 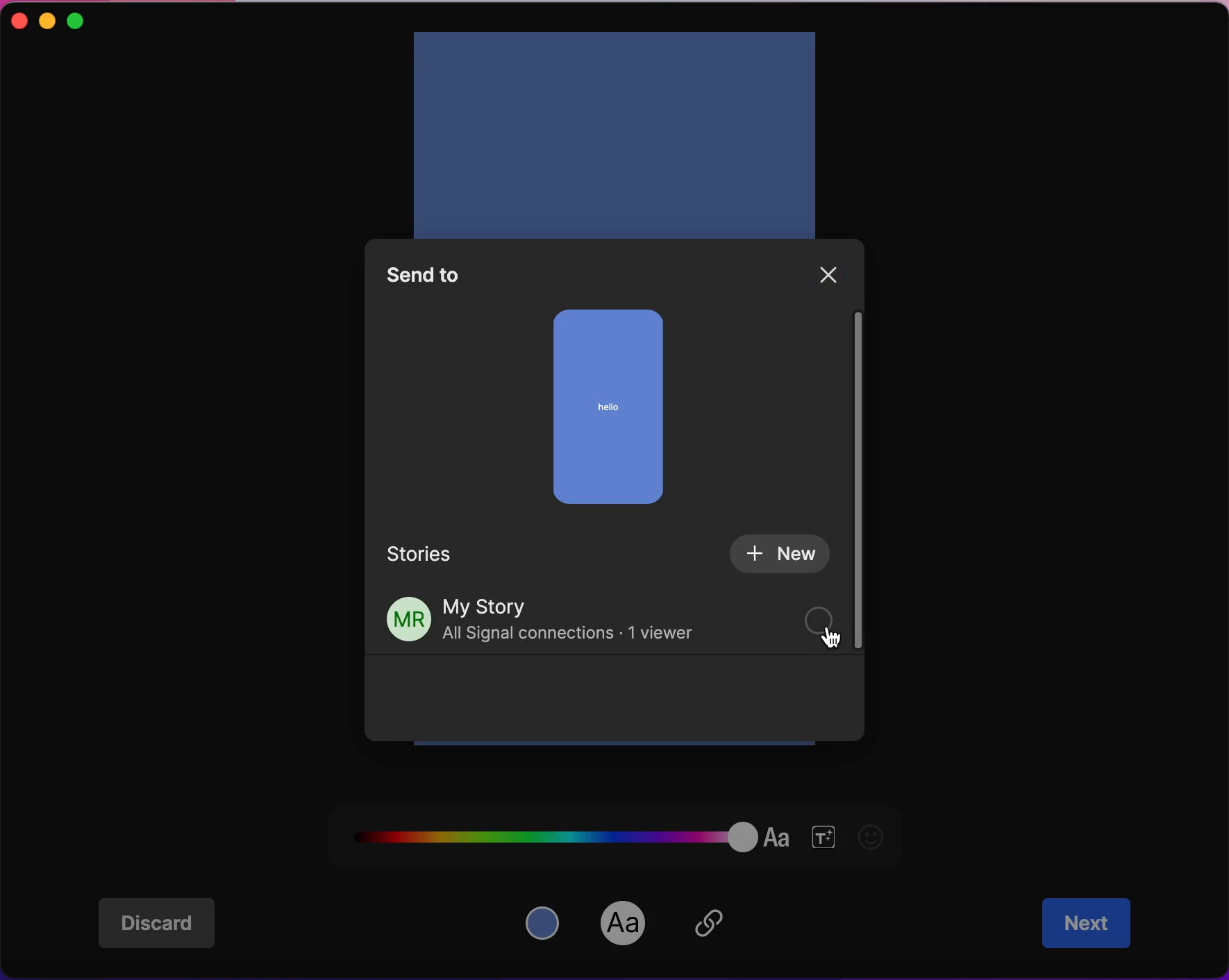 What do you see at coordinates (727, 928) in the screenshot?
I see `insert` at bounding box center [727, 928].